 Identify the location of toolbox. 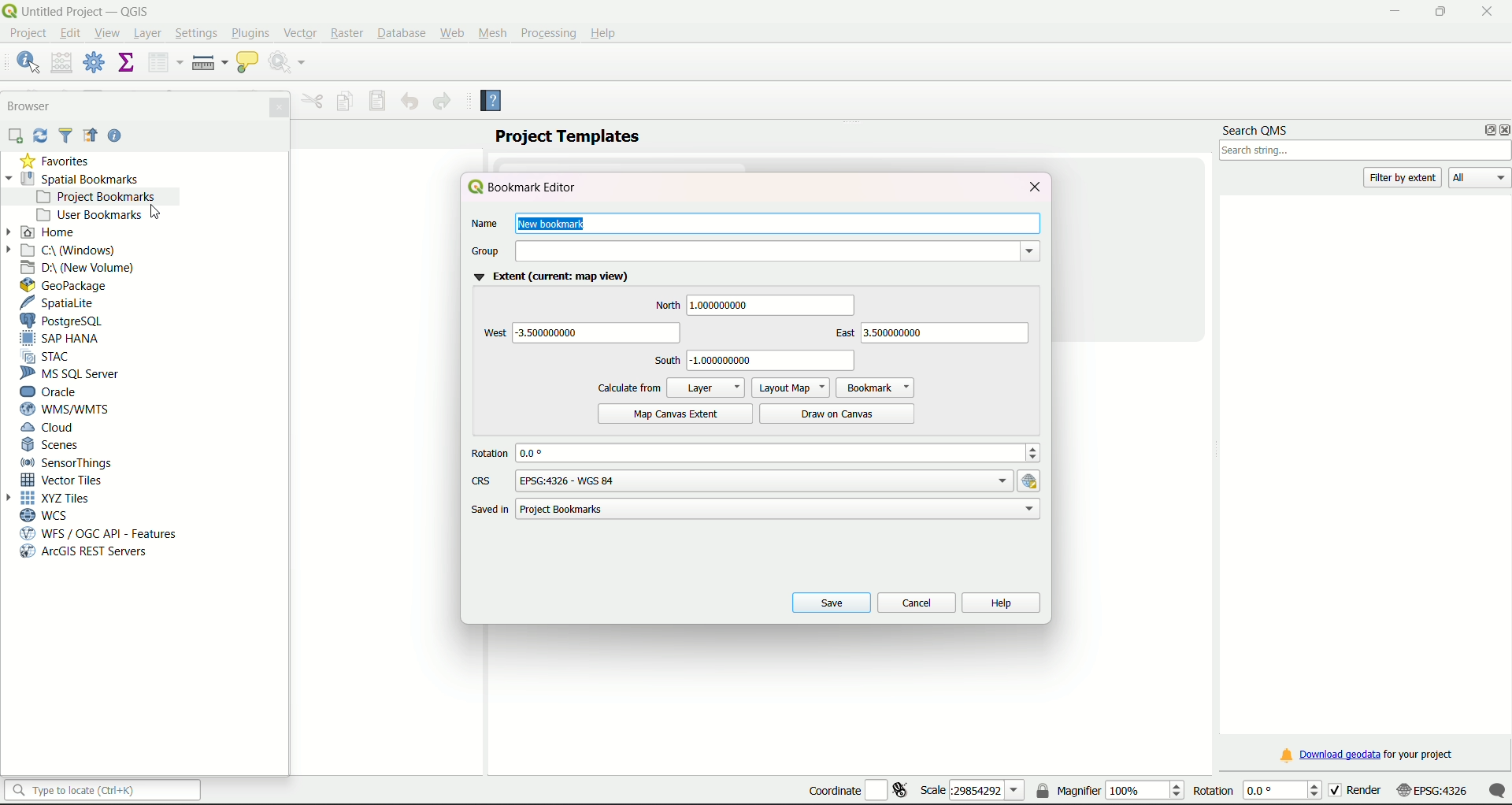
(94, 62).